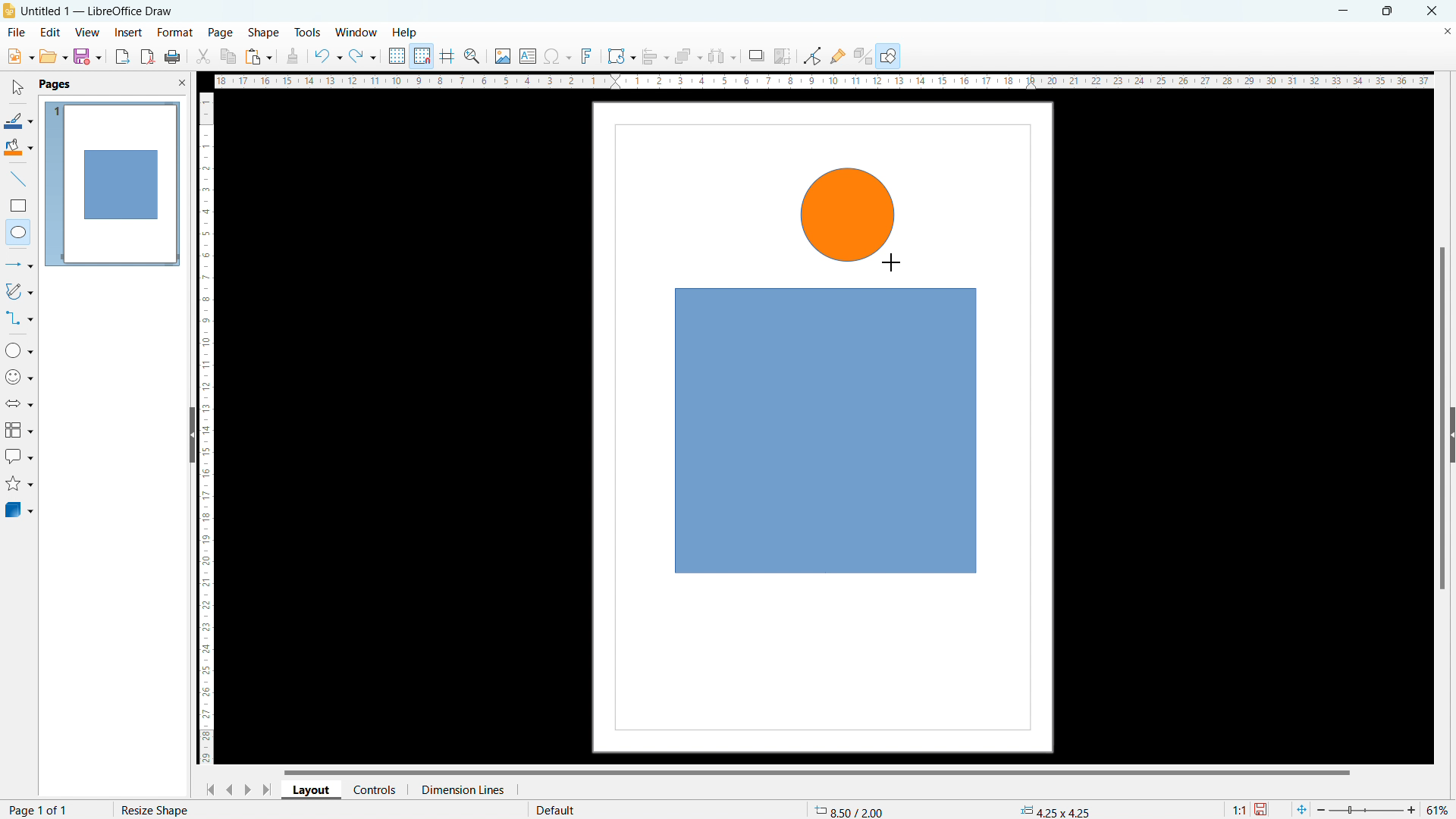  Describe the element at coordinates (357, 33) in the screenshot. I see `window` at that location.